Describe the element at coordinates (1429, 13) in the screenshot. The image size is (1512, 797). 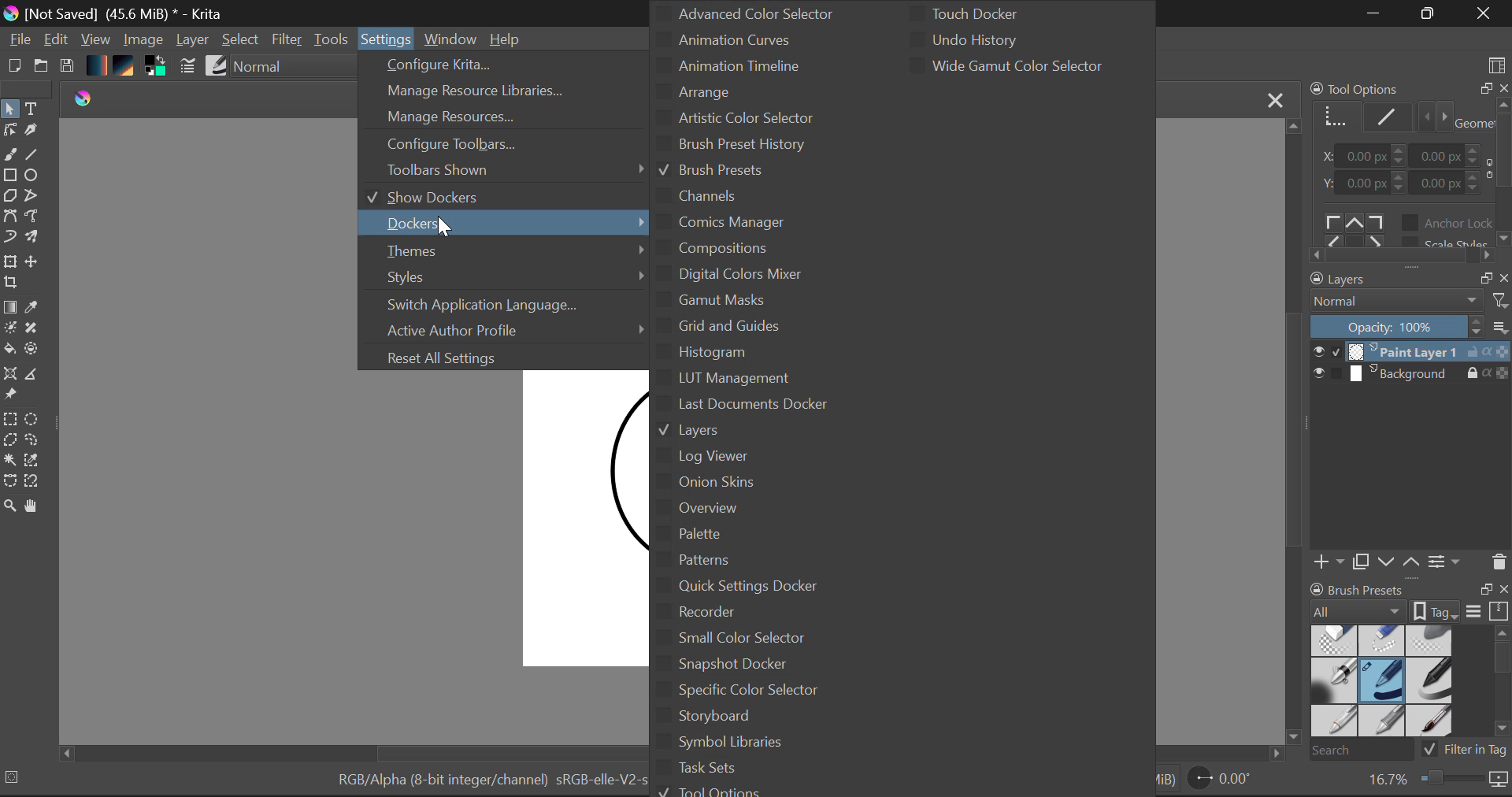
I see `Minimize` at that location.